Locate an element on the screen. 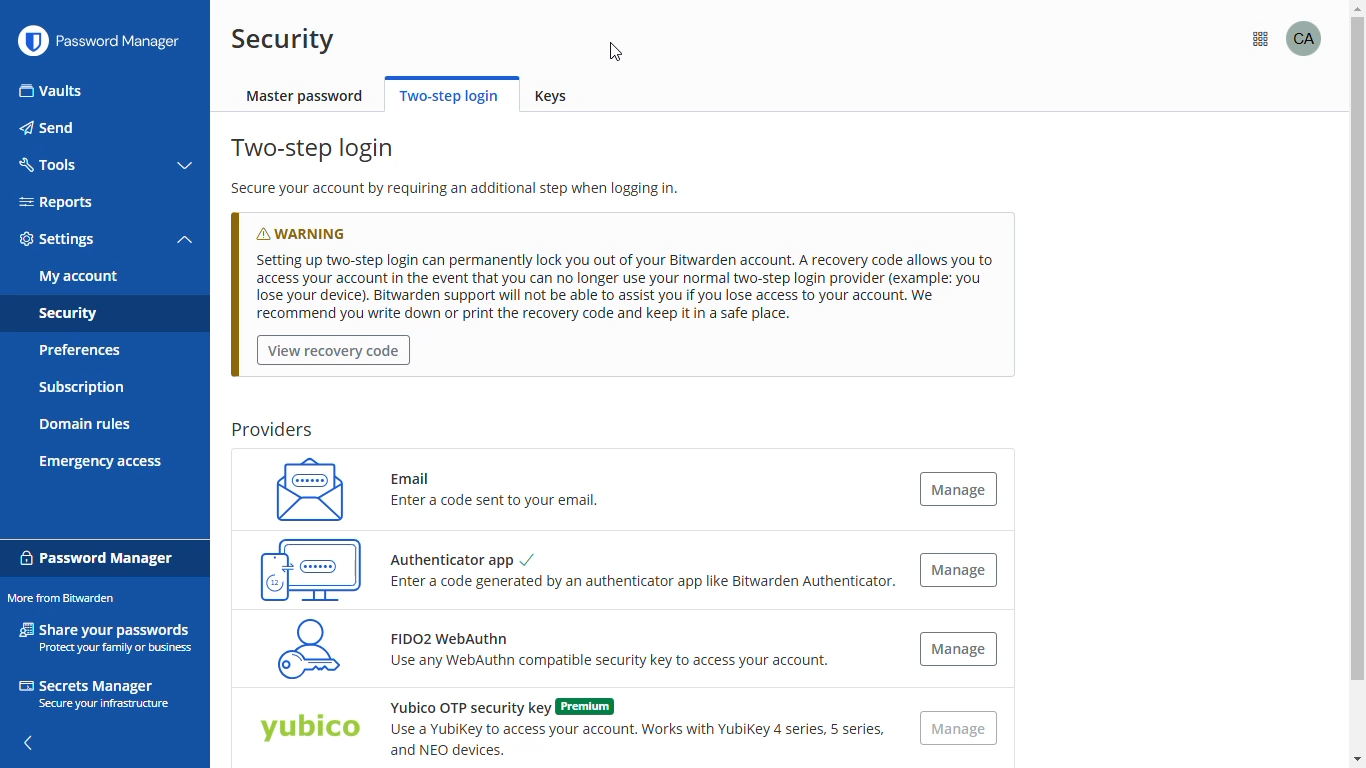 This screenshot has height=768, width=1366. Email is located at coordinates (417, 474).